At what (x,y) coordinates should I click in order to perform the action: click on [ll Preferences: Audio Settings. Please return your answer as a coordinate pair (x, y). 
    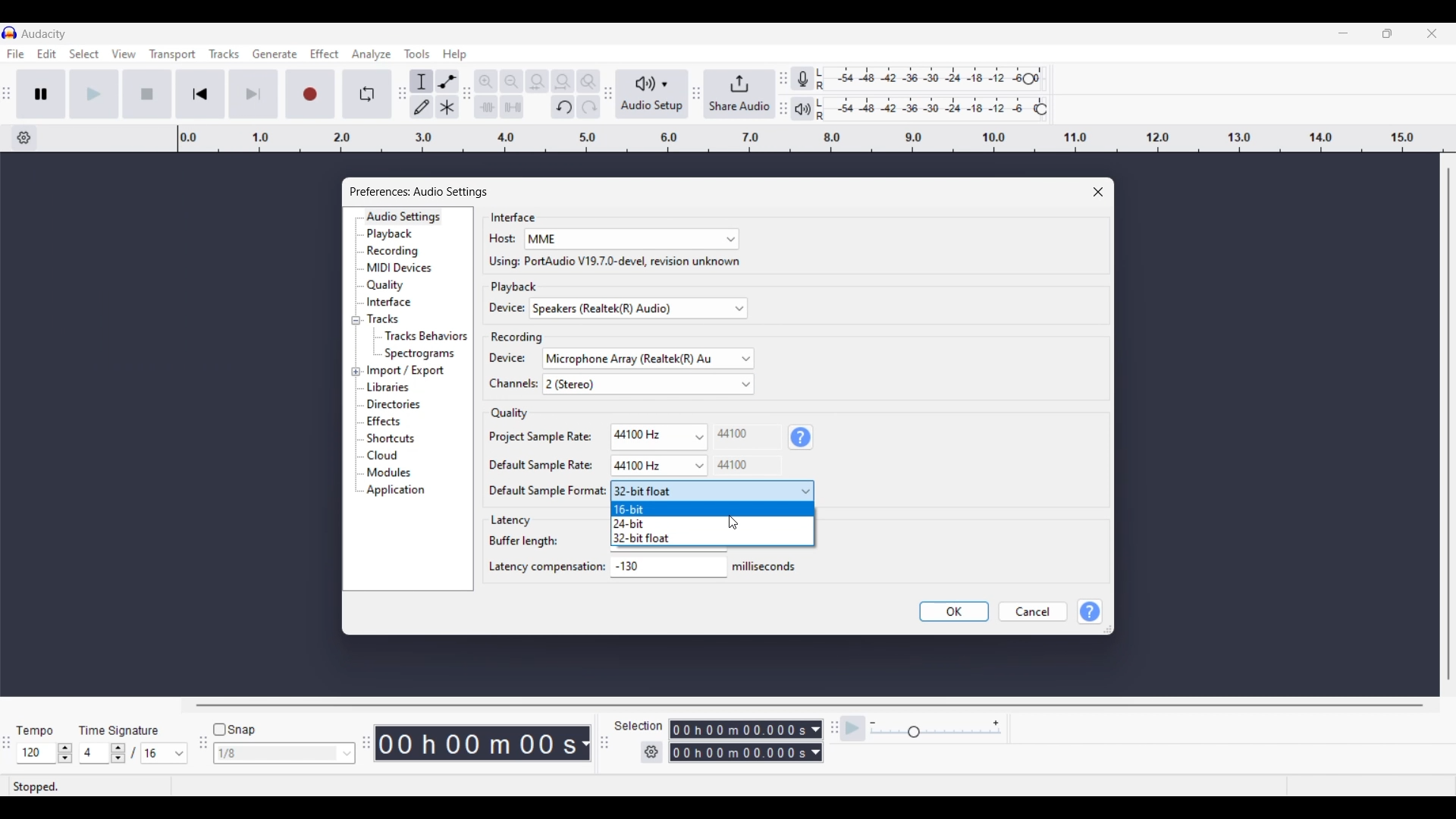
    Looking at the image, I should click on (422, 190).